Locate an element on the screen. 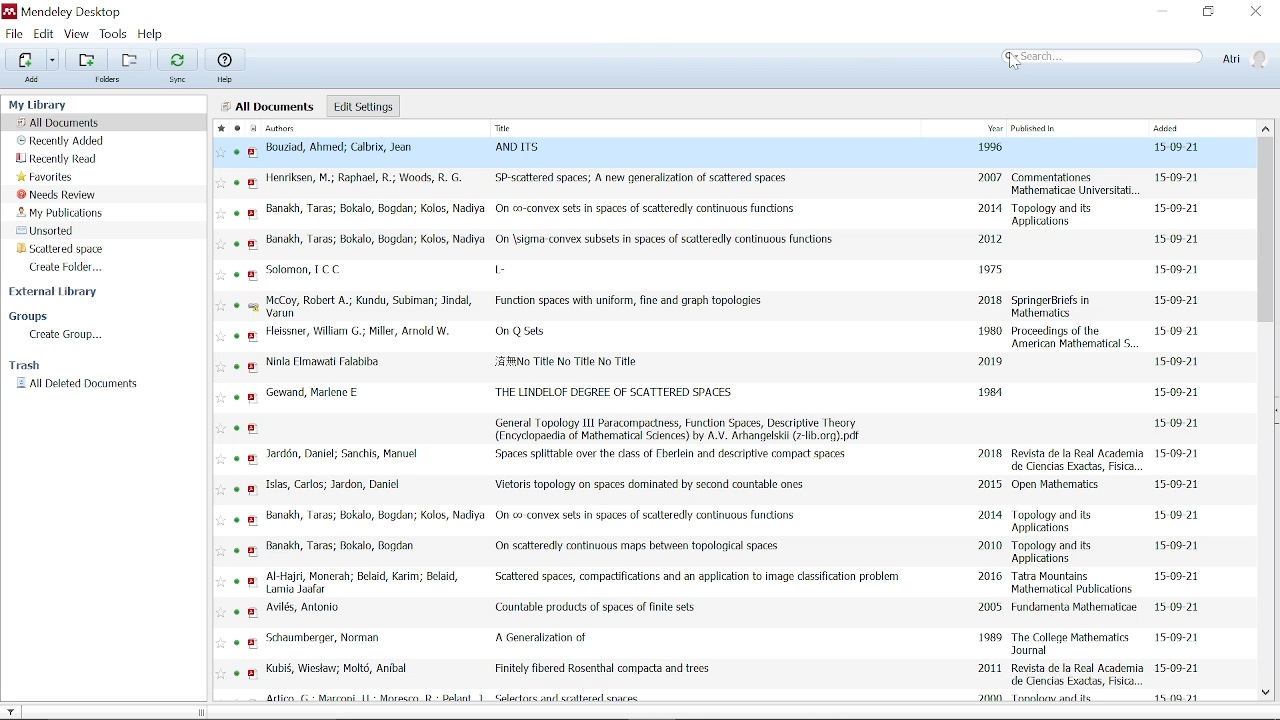 The height and width of the screenshot is (720, 1280). Marked all as favorite is located at coordinates (218, 128).